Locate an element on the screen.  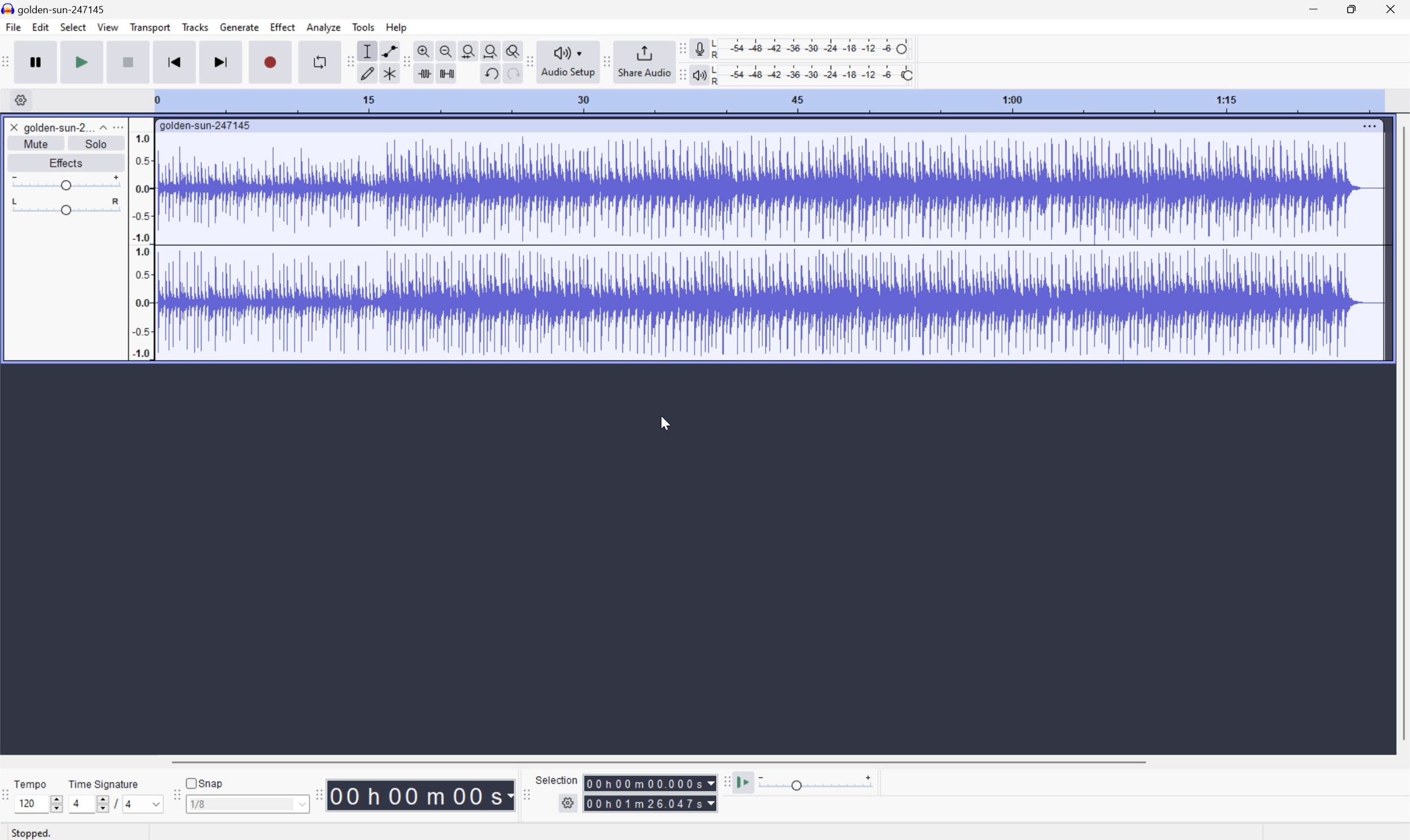
Edit is located at coordinates (40, 27).